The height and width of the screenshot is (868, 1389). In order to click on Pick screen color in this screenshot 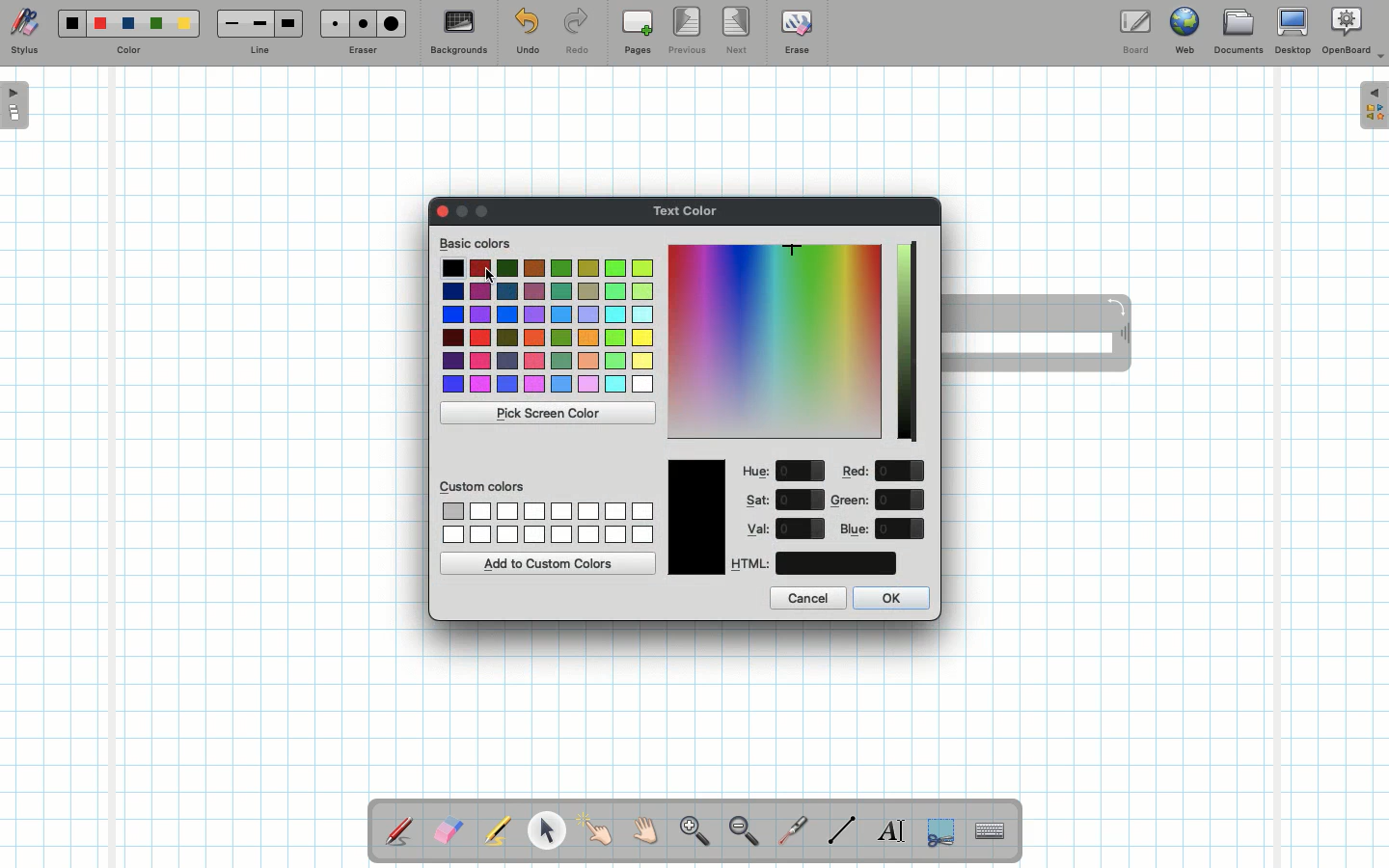, I will do `click(549, 414)`.